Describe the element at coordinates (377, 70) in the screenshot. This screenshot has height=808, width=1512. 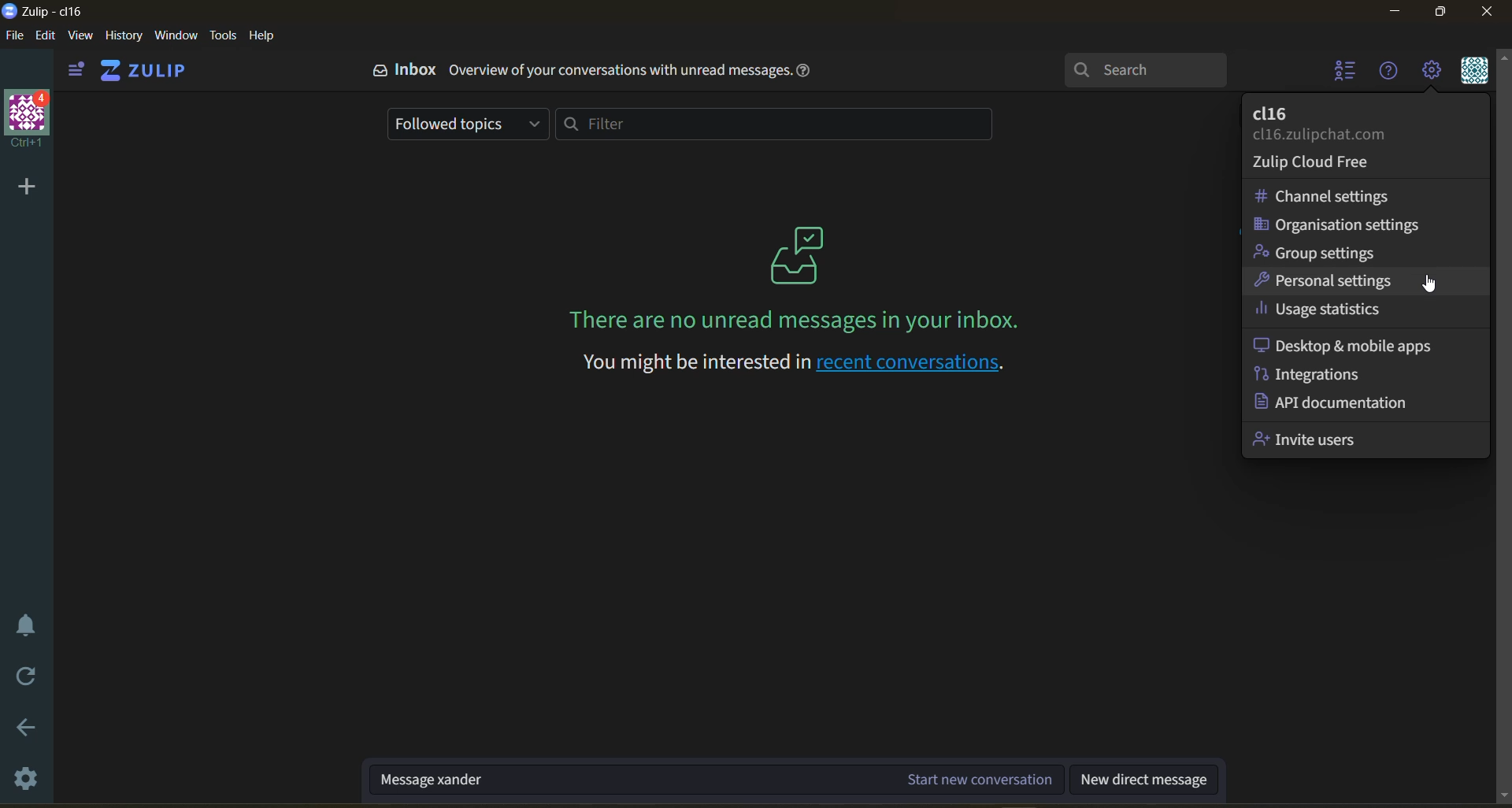
I see `logo` at that location.